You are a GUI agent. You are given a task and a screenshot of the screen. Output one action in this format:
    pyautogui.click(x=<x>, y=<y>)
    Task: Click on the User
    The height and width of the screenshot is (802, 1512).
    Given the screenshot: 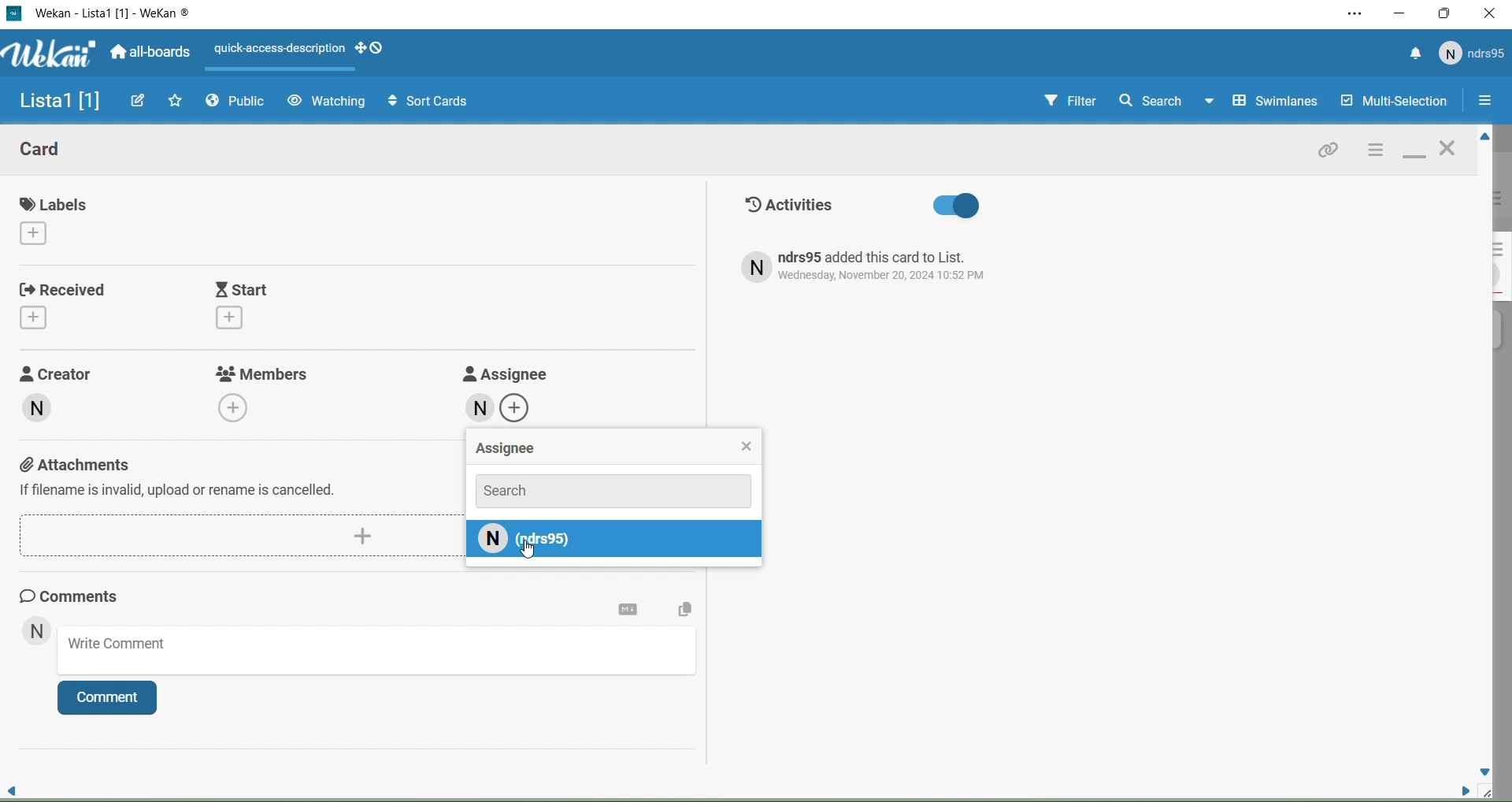 What is the action you would take?
    pyautogui.click(x=36, y=633)
    